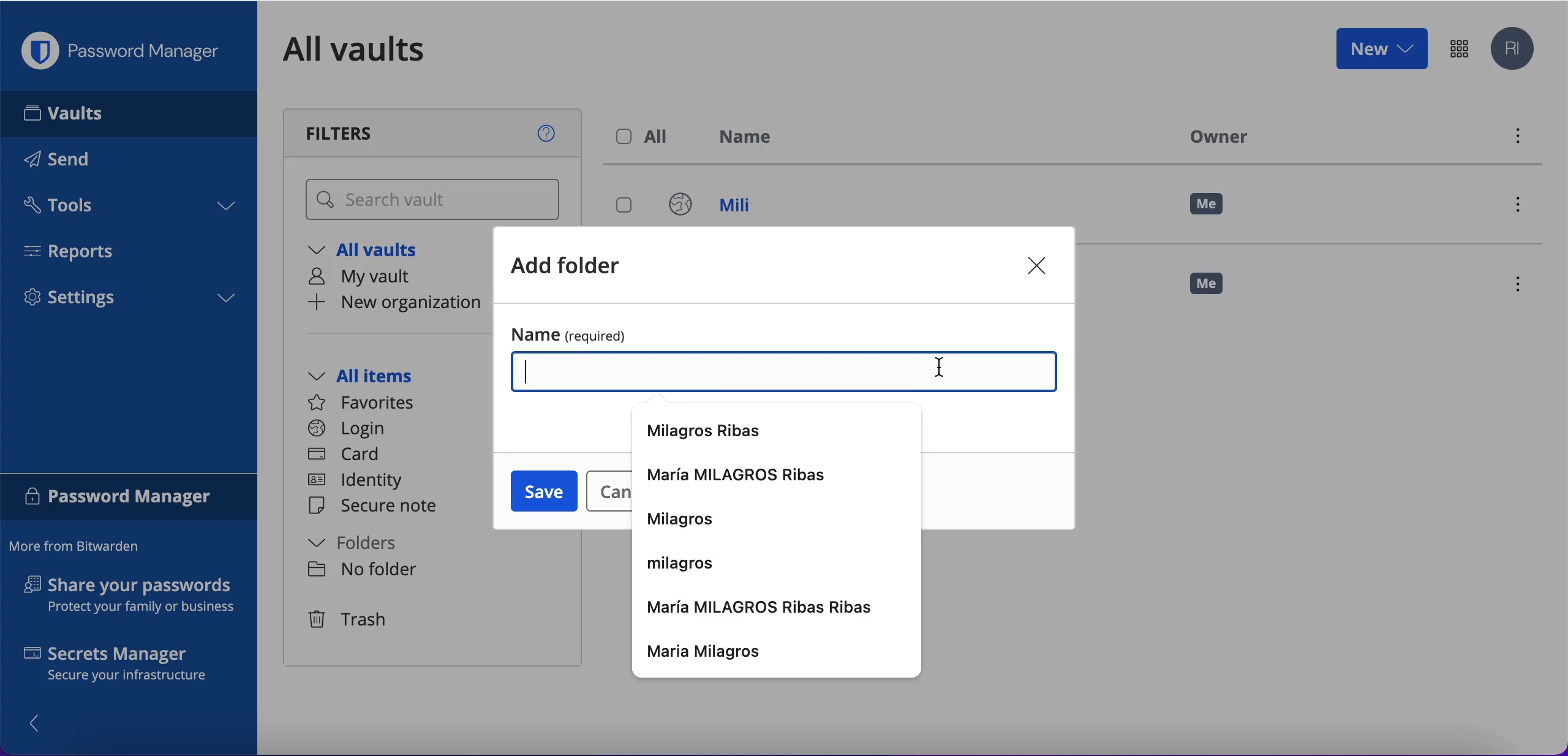  What do you see at coordinates (765, 607) in the screenshot?
I see `maria milagros ribas ribas` at bounding box center [765, 607].